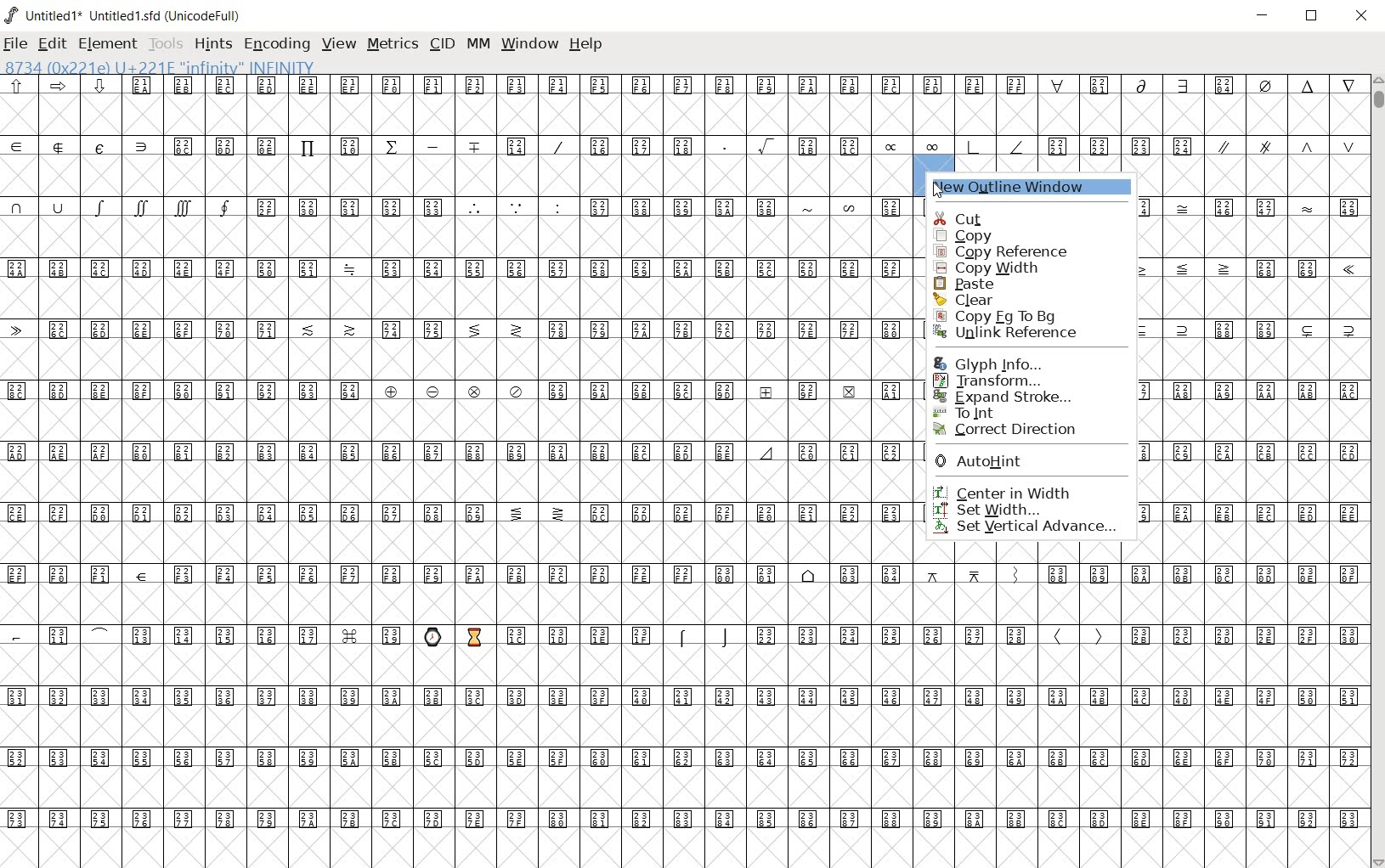 Image resolution: width=1385 pixels, height=868 pixels. What do you see at coordinates (277, 44) in the screenshot?
I see `encoding` at bounding box center [277, 44].